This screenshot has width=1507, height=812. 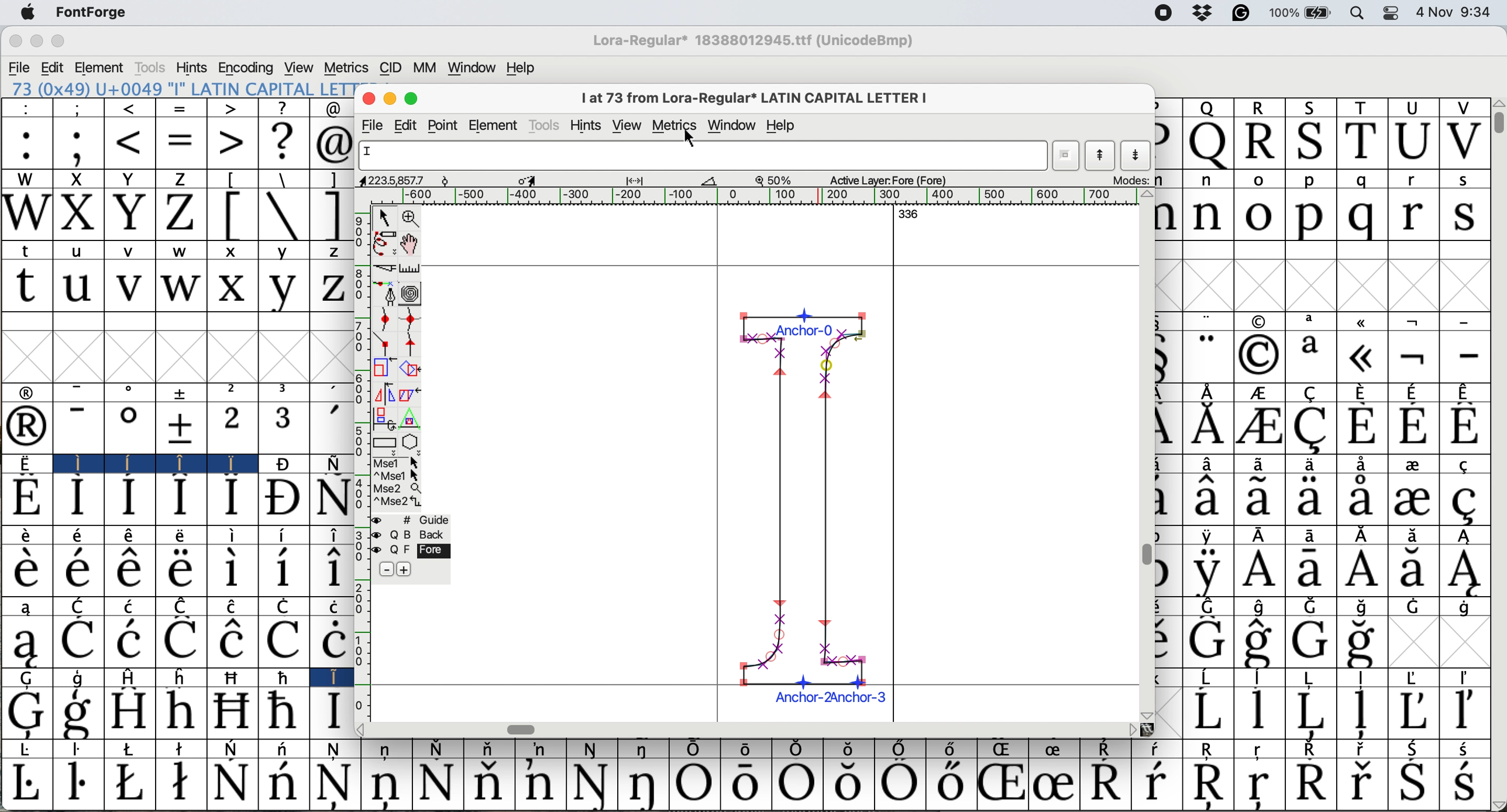 I want to click on Mse 2^, so click(x=398, y=501).